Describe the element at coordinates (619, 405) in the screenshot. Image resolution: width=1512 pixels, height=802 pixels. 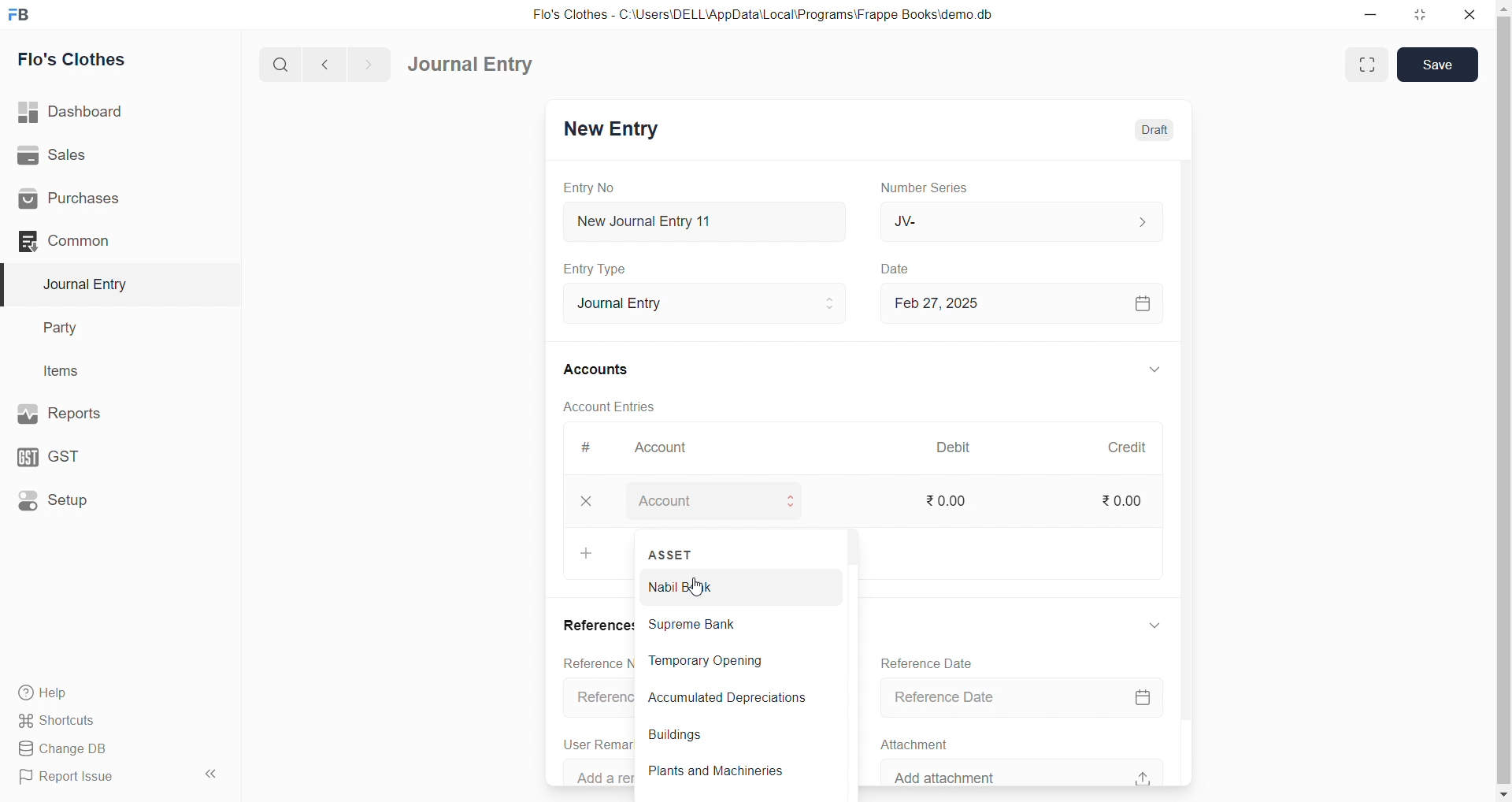
I see `Account Entries` at that location.